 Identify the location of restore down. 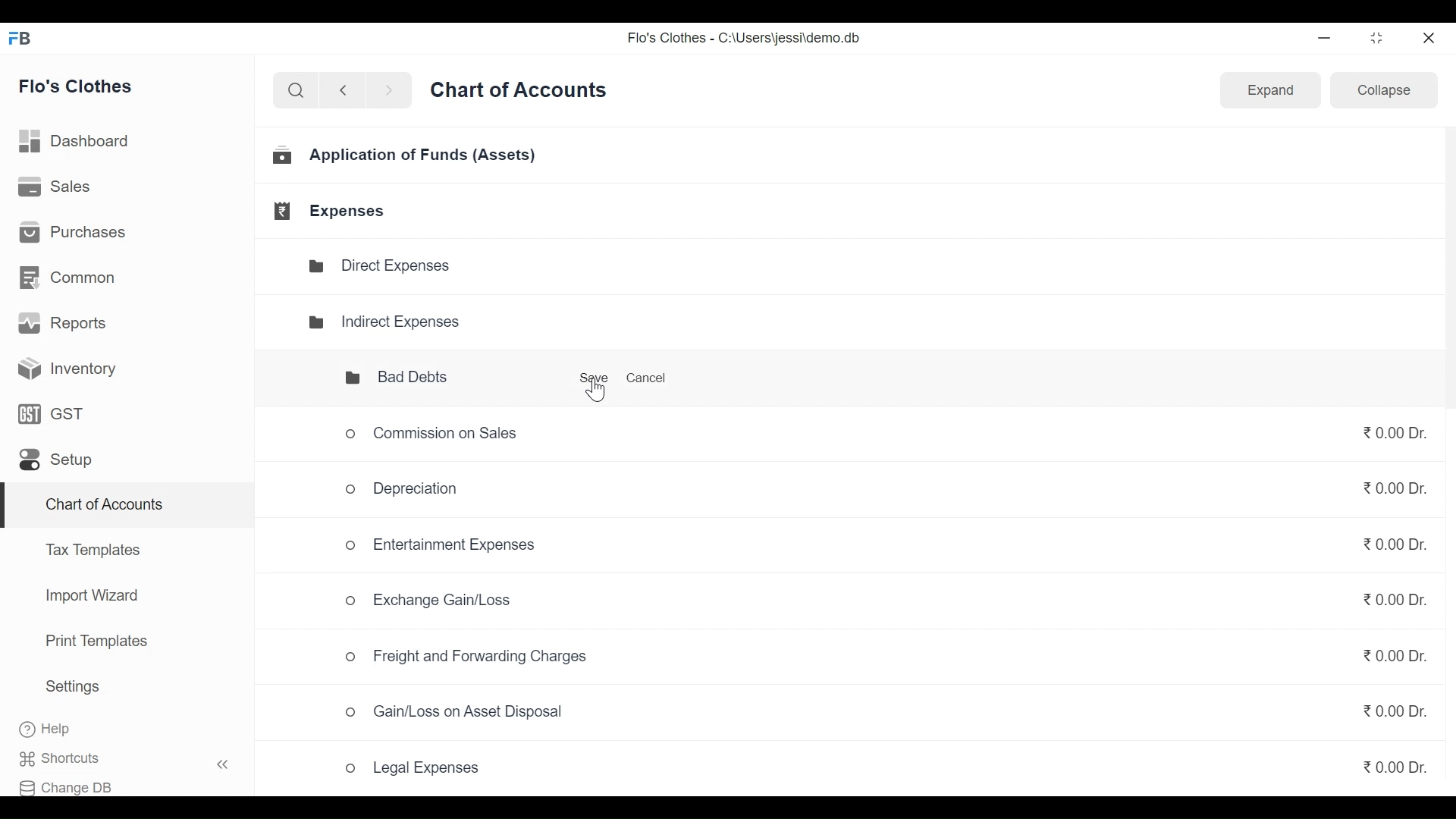
(1375, 39).